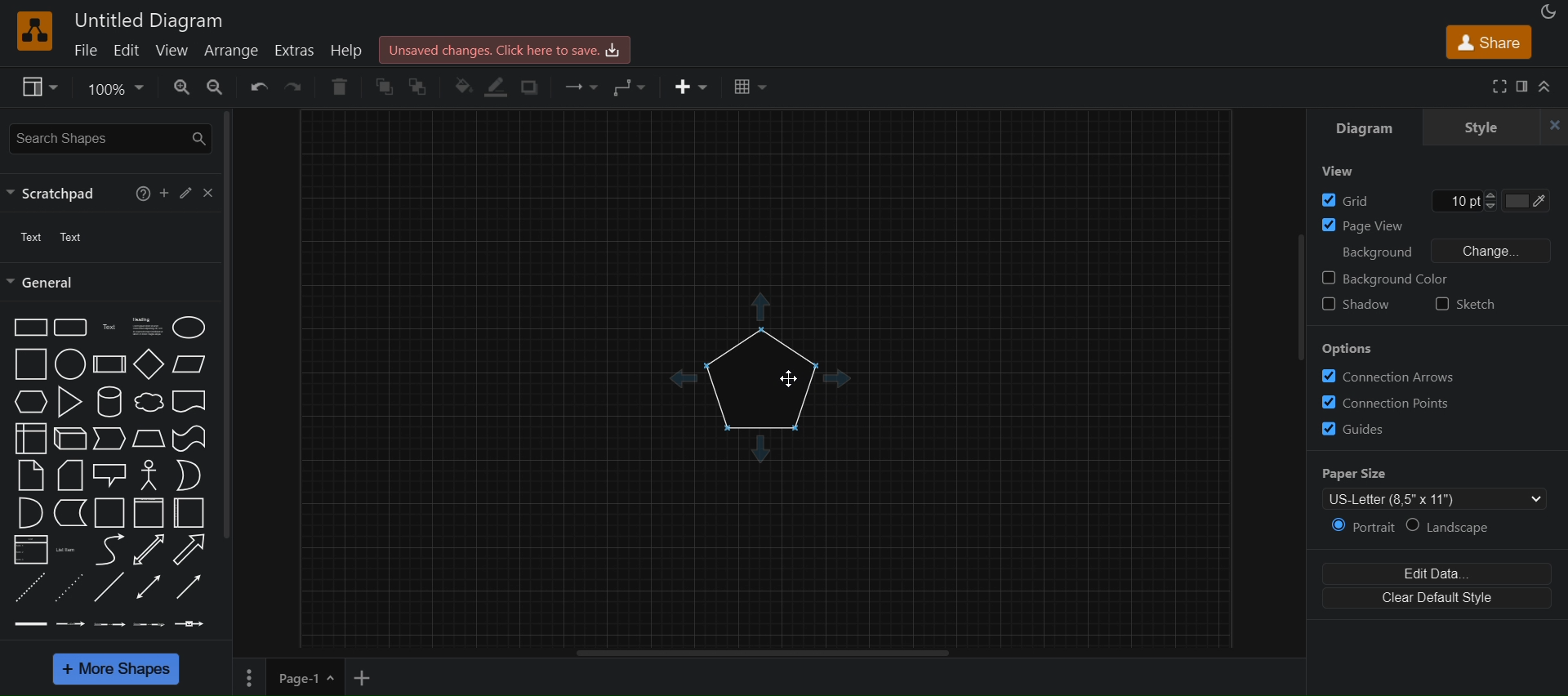  Describe the element at coordinates (531, 87) in the screenshot. I see `shadow` at that location.